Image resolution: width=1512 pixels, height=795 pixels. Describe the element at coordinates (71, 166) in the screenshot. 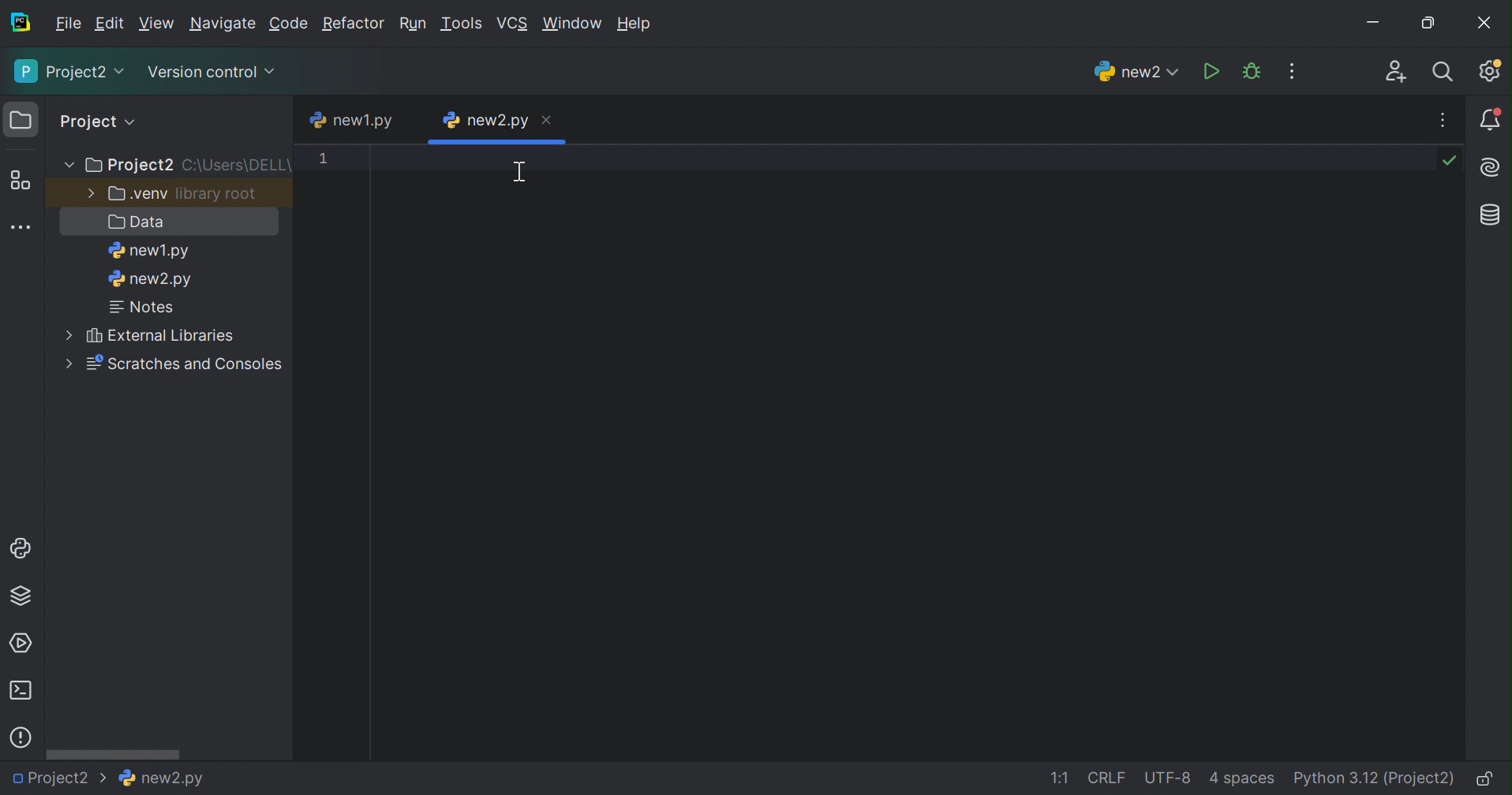

I see `More` at that location.